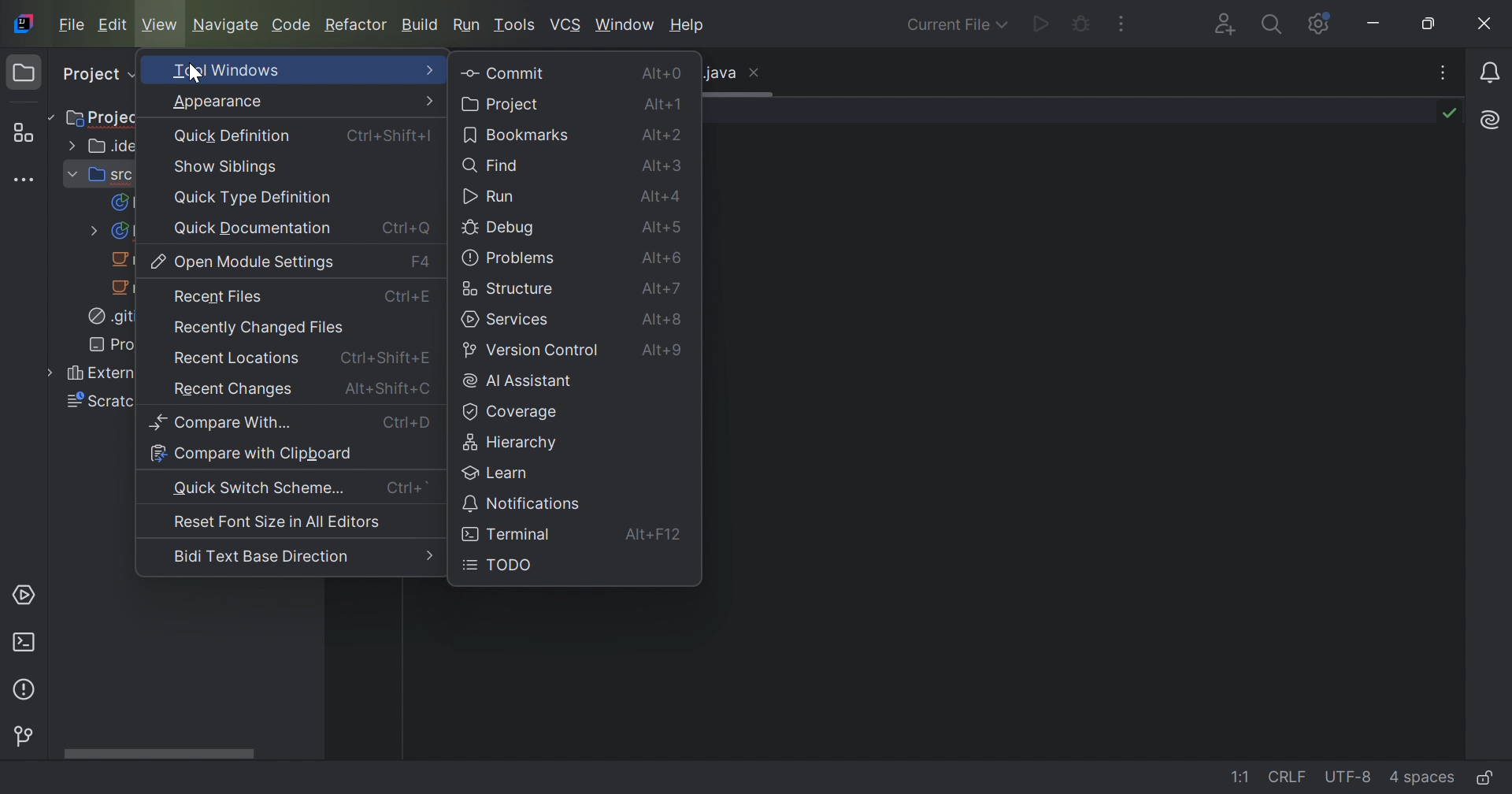  I want to click on 1:1e, so click(1240, 777).